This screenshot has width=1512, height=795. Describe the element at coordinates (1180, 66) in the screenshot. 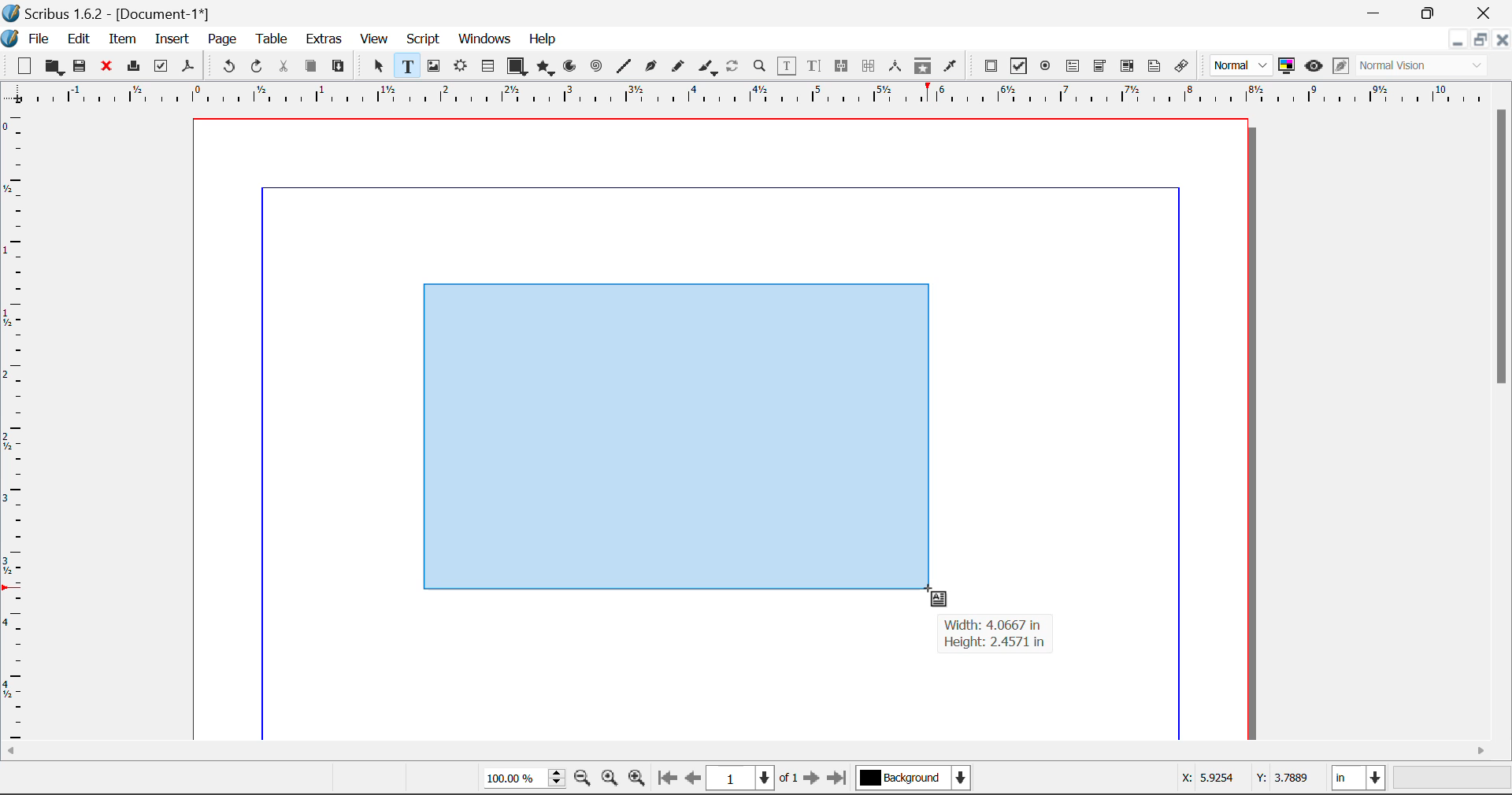

I see `Link Annotation` at that location.